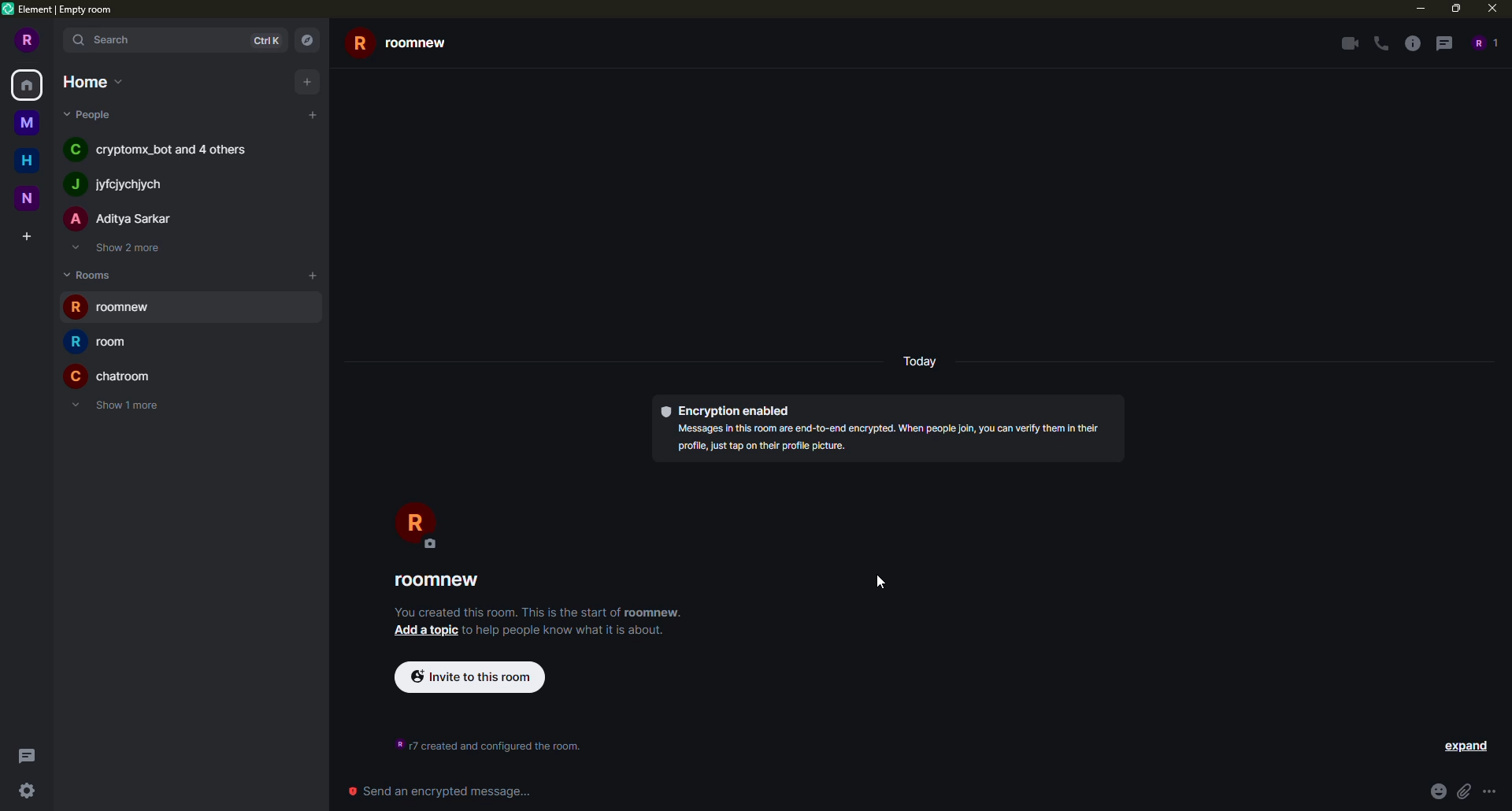  What do you see at coordinates (88, 274) in the screenshot?
I see `rooms` at bounding box center [88, 274].